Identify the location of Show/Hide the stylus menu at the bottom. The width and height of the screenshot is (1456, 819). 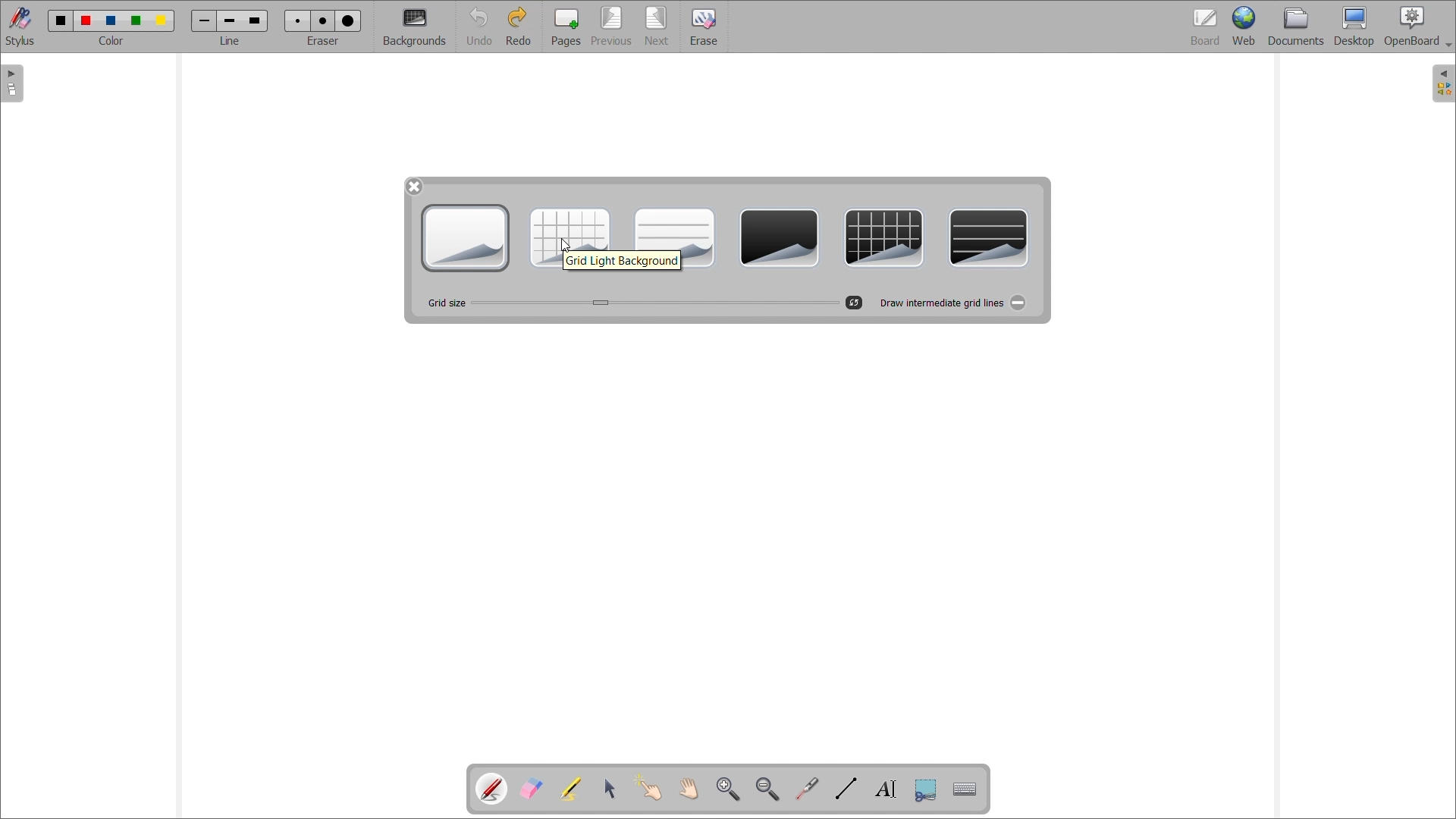
(20, 27).